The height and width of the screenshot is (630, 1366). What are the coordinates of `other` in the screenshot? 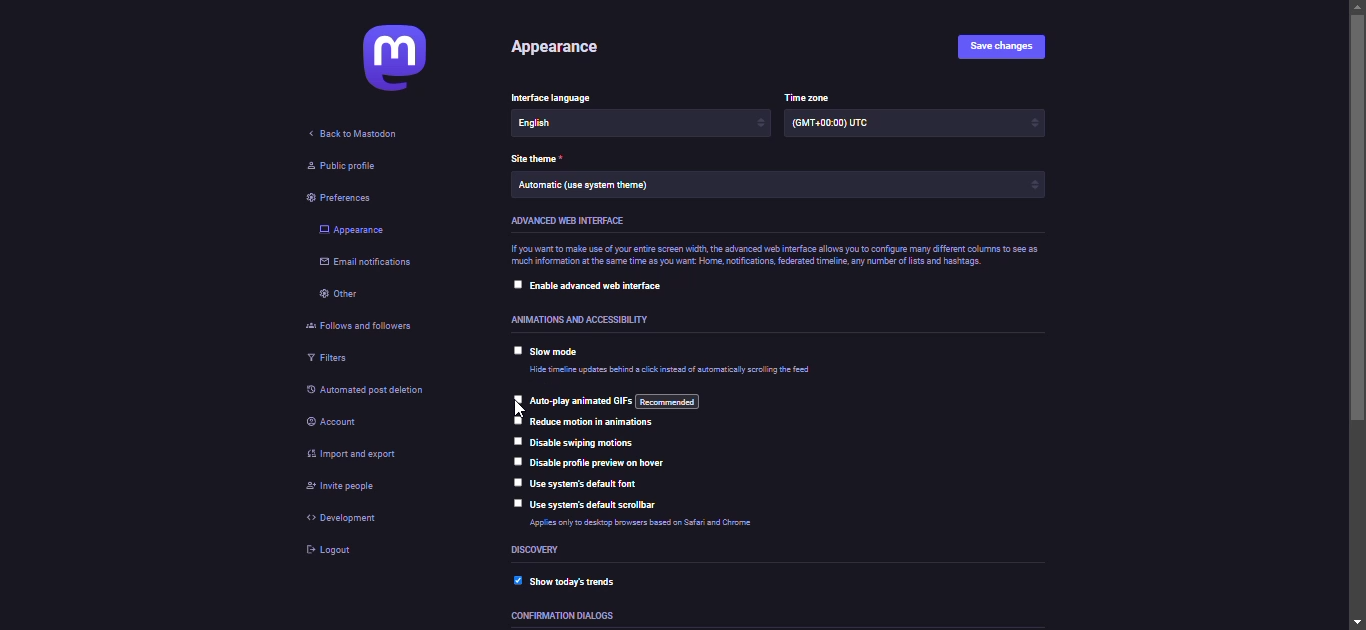 It's located at (343, 296).